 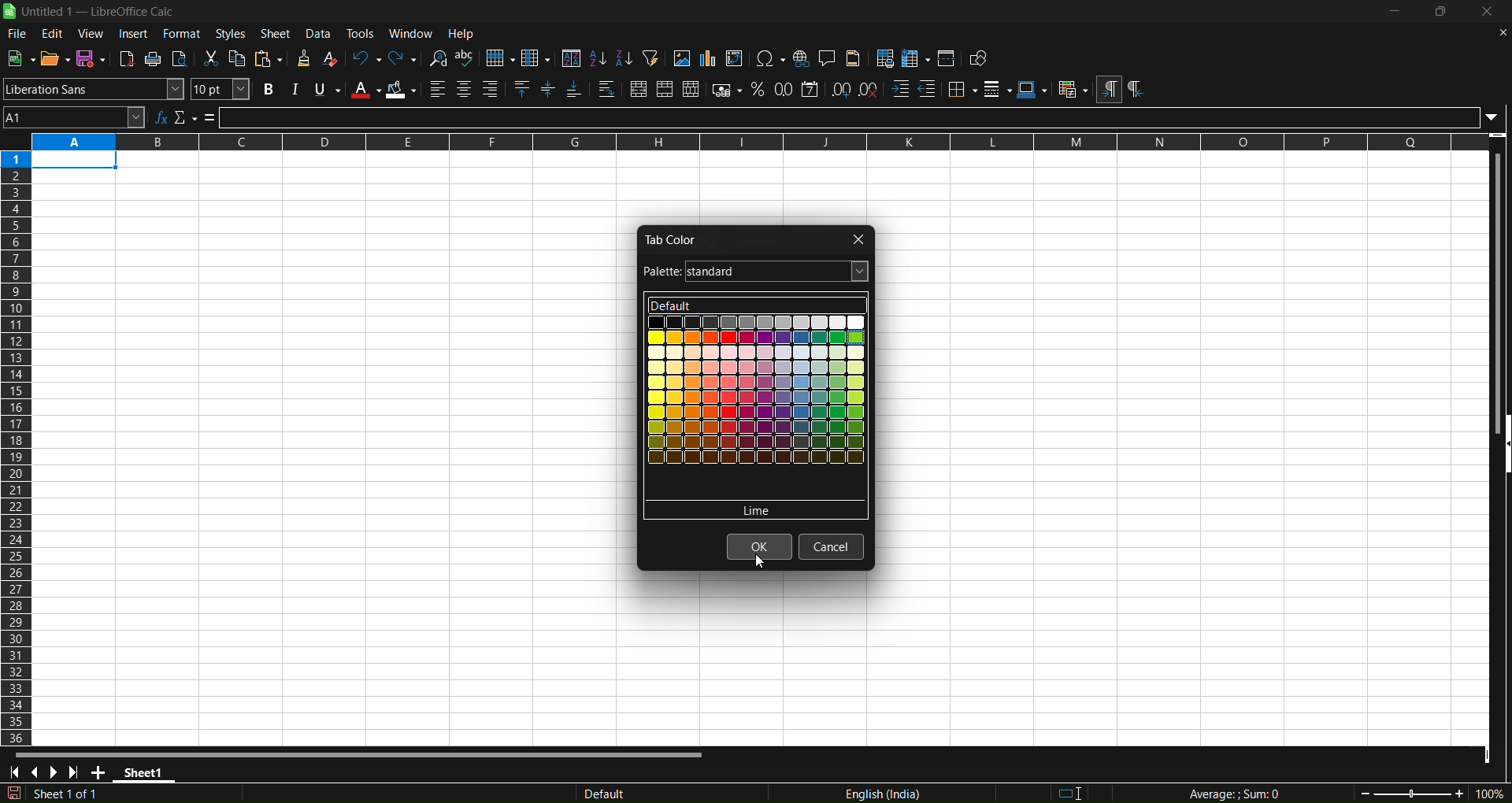 I want to click on decrease indent, so click(x=928, y=89).